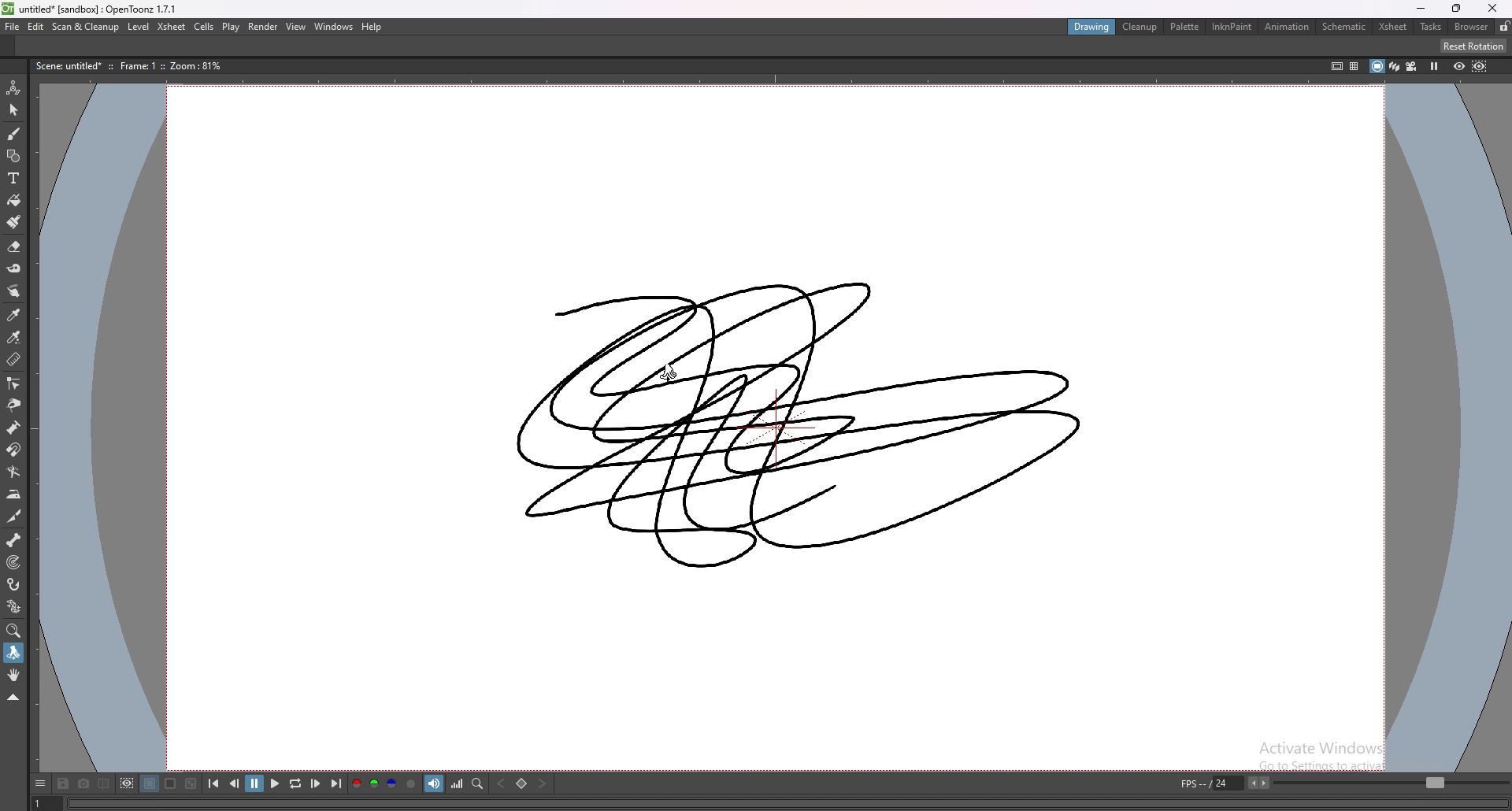 The width and height of the screenshot is (1512, 811). Describe the element at coordinates (1472, 26) in the screenshot. I see `browser` at that location.